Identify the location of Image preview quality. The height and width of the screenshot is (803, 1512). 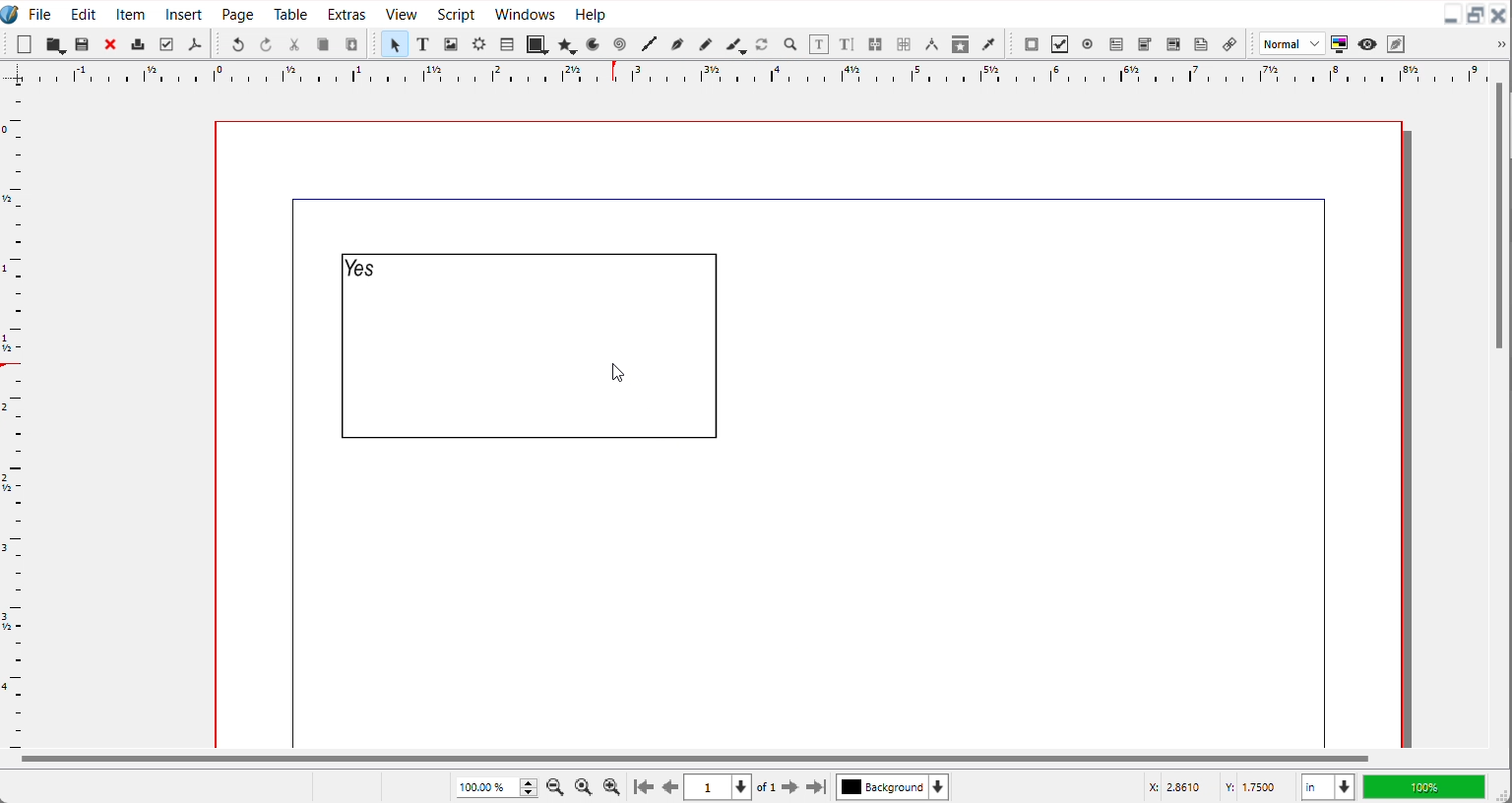
(1292, 43).